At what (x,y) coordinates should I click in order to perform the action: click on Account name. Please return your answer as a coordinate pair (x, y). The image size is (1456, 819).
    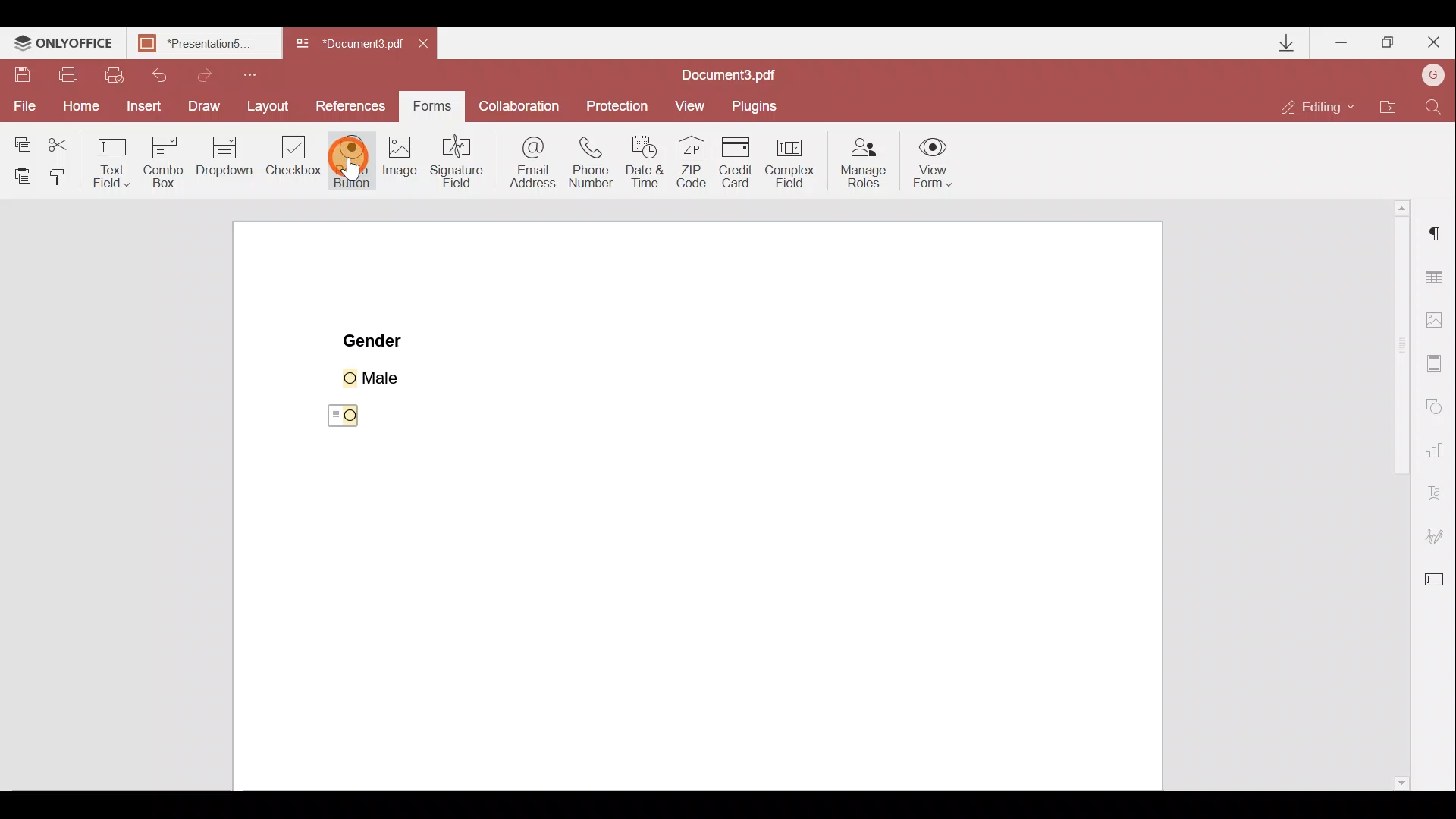
    Looking at the image, I should click on (1433, 75).